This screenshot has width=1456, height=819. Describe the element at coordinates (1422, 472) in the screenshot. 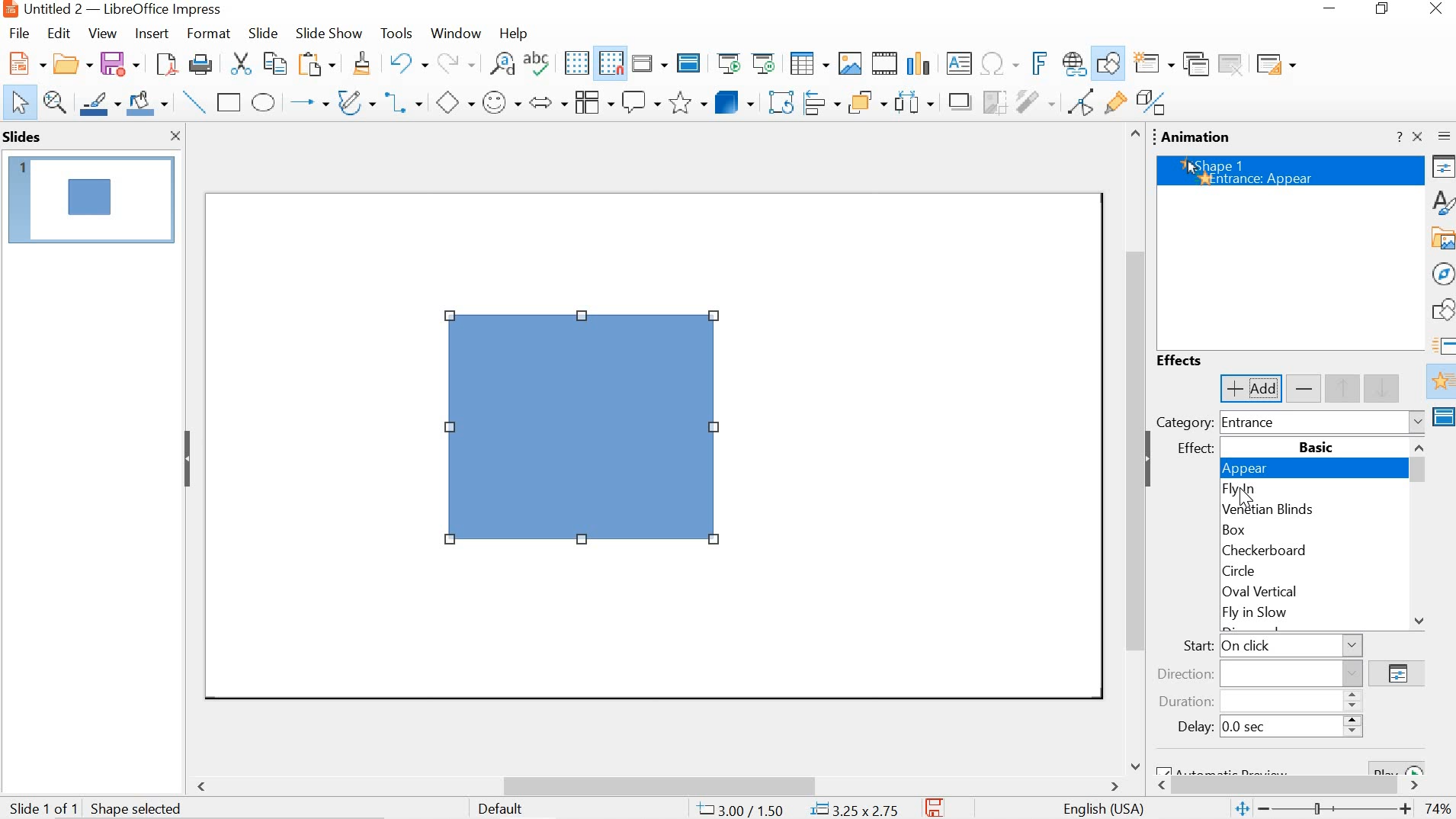

I see `Scrollbar` at that location.